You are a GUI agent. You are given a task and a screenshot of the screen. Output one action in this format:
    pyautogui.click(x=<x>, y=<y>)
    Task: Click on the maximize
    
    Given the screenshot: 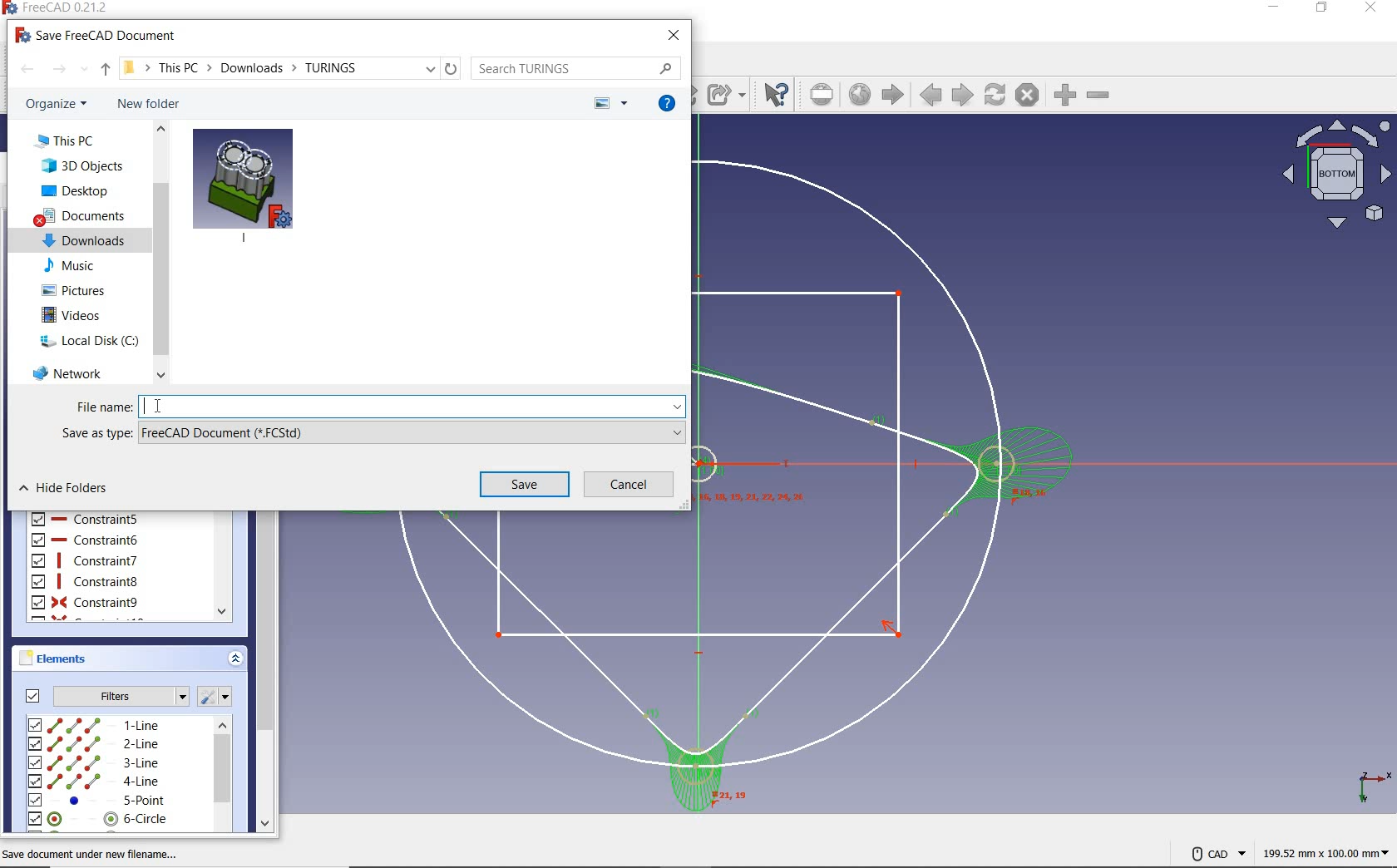 What is the action you would take?
    pyautogui.click(x=1321, y=8)
    